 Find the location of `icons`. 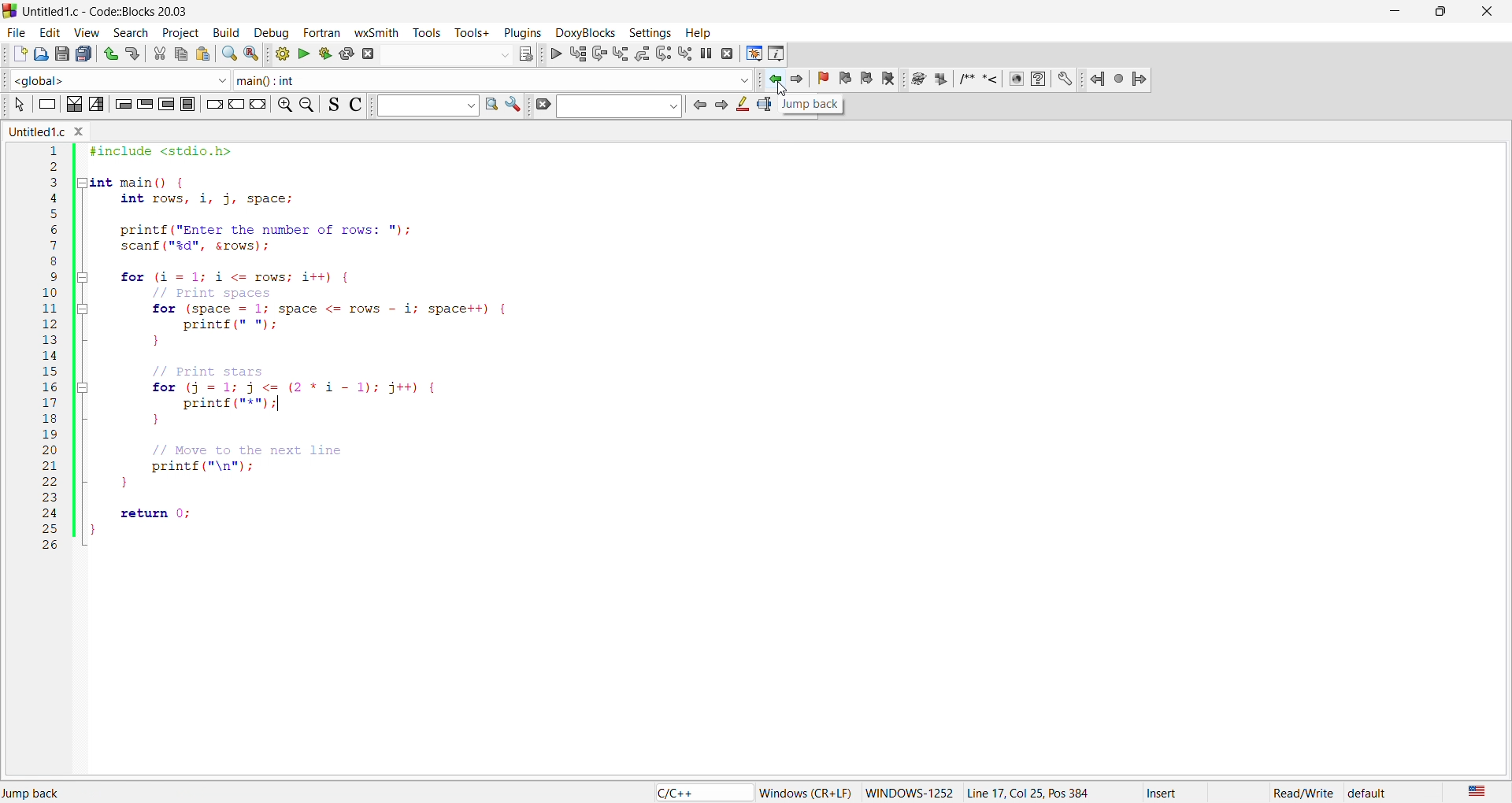

icons is located at coordinates (528, 54).